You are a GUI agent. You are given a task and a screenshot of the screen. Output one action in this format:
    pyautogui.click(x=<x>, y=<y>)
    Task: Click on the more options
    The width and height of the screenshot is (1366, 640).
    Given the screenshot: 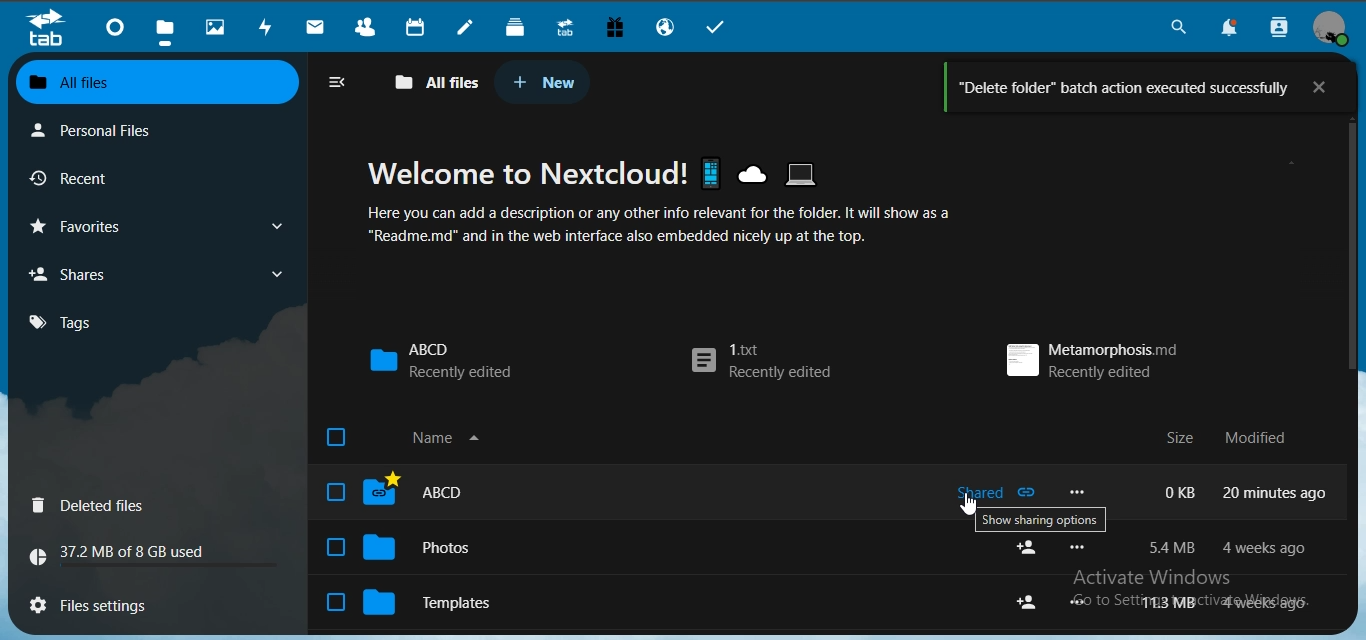 What is the action you would take?
    pyautogui.click(x=1083, y=602)
    